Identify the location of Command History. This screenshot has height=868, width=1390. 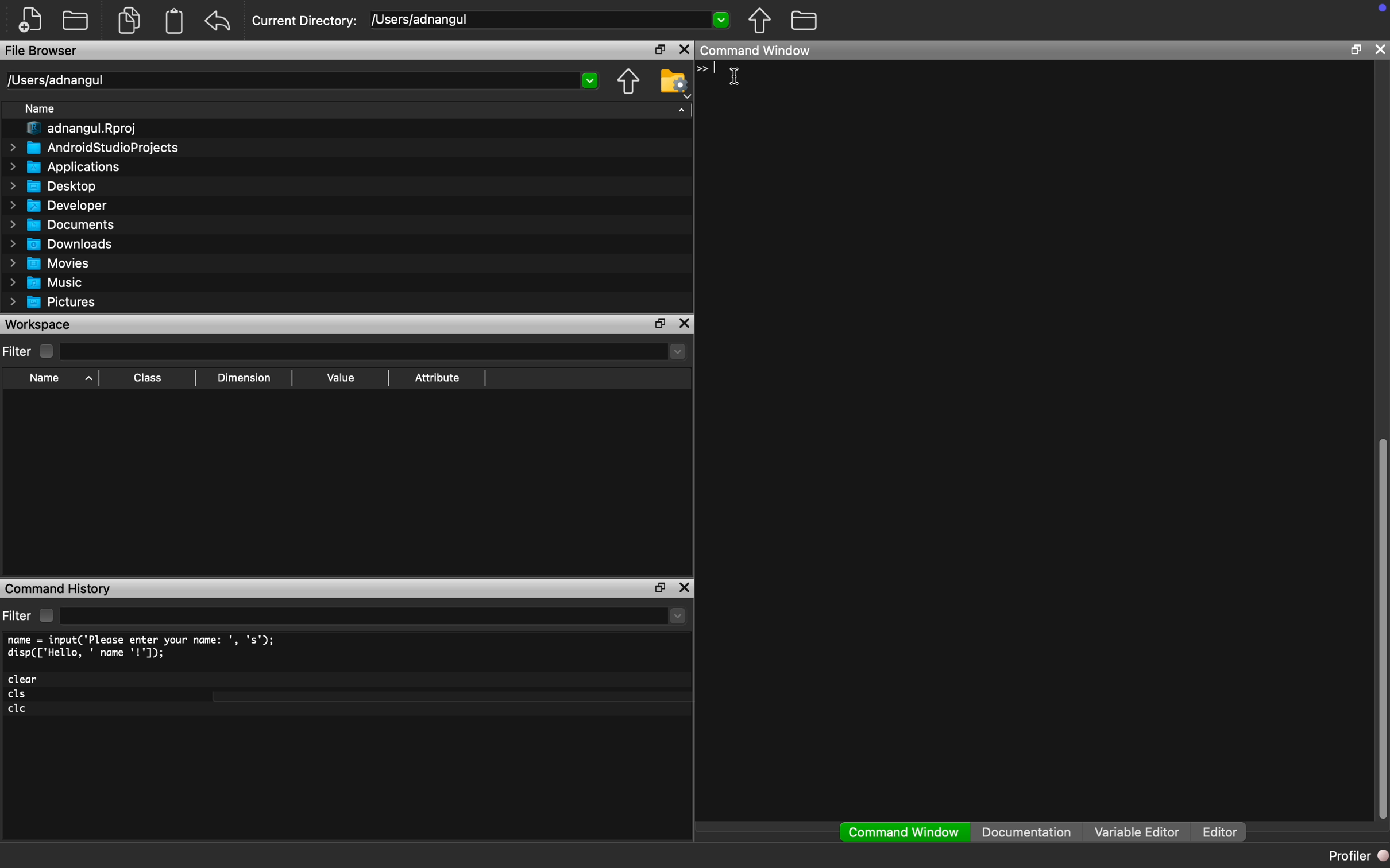
(58, 590).